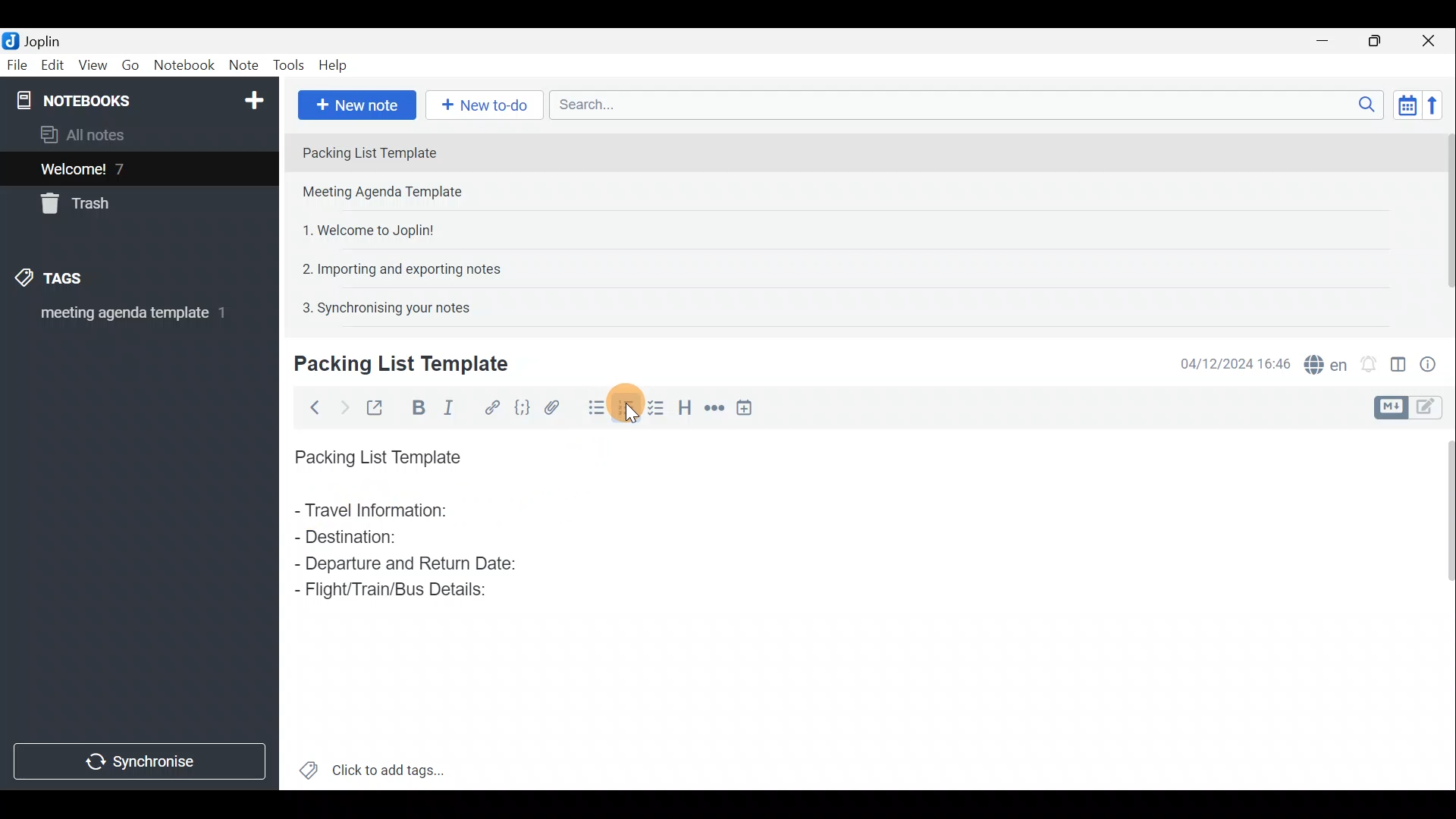  Describe the element at coordinates (397, 193) in the screenshot. I see `Note 2` at that location.